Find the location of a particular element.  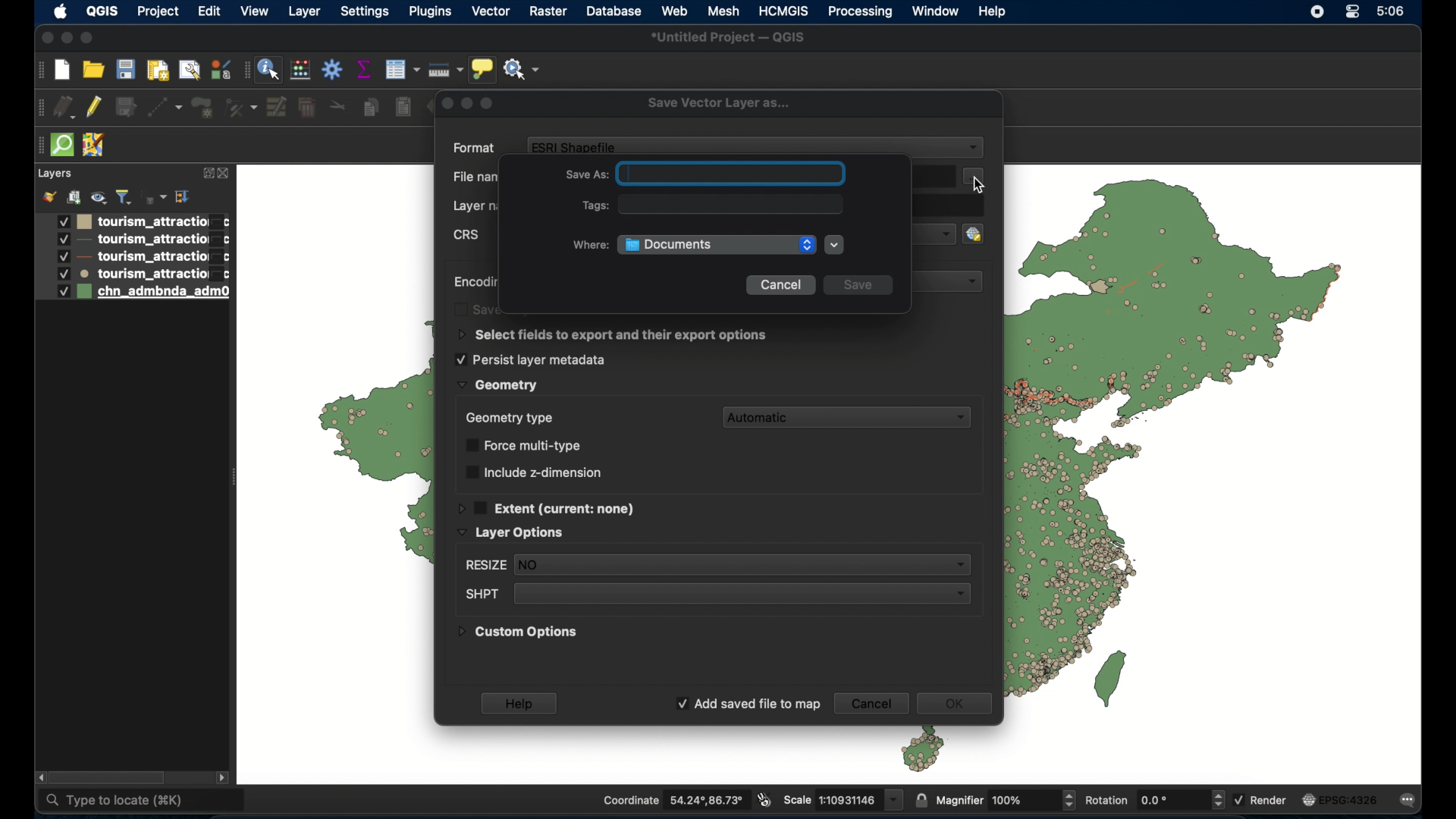

layer 2 is located at coordinates (133, 240).